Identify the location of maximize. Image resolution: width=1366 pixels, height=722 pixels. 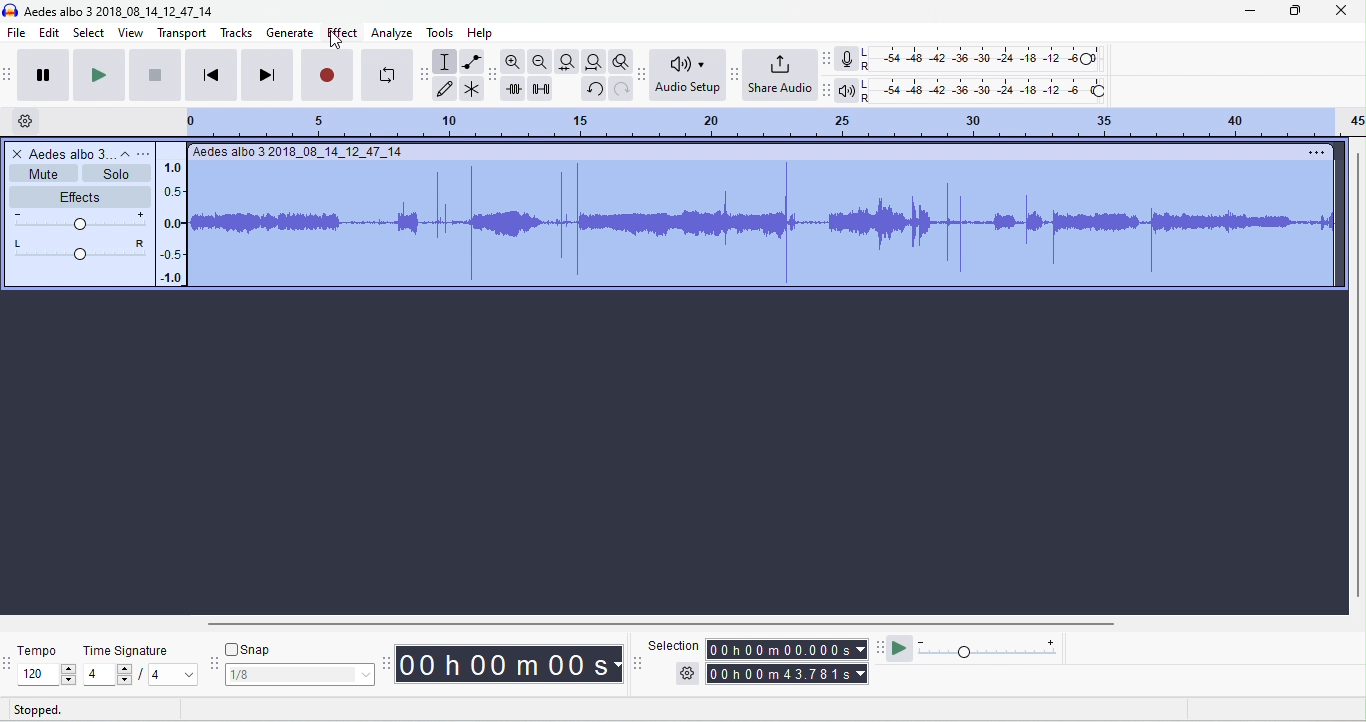
(1294, 10).